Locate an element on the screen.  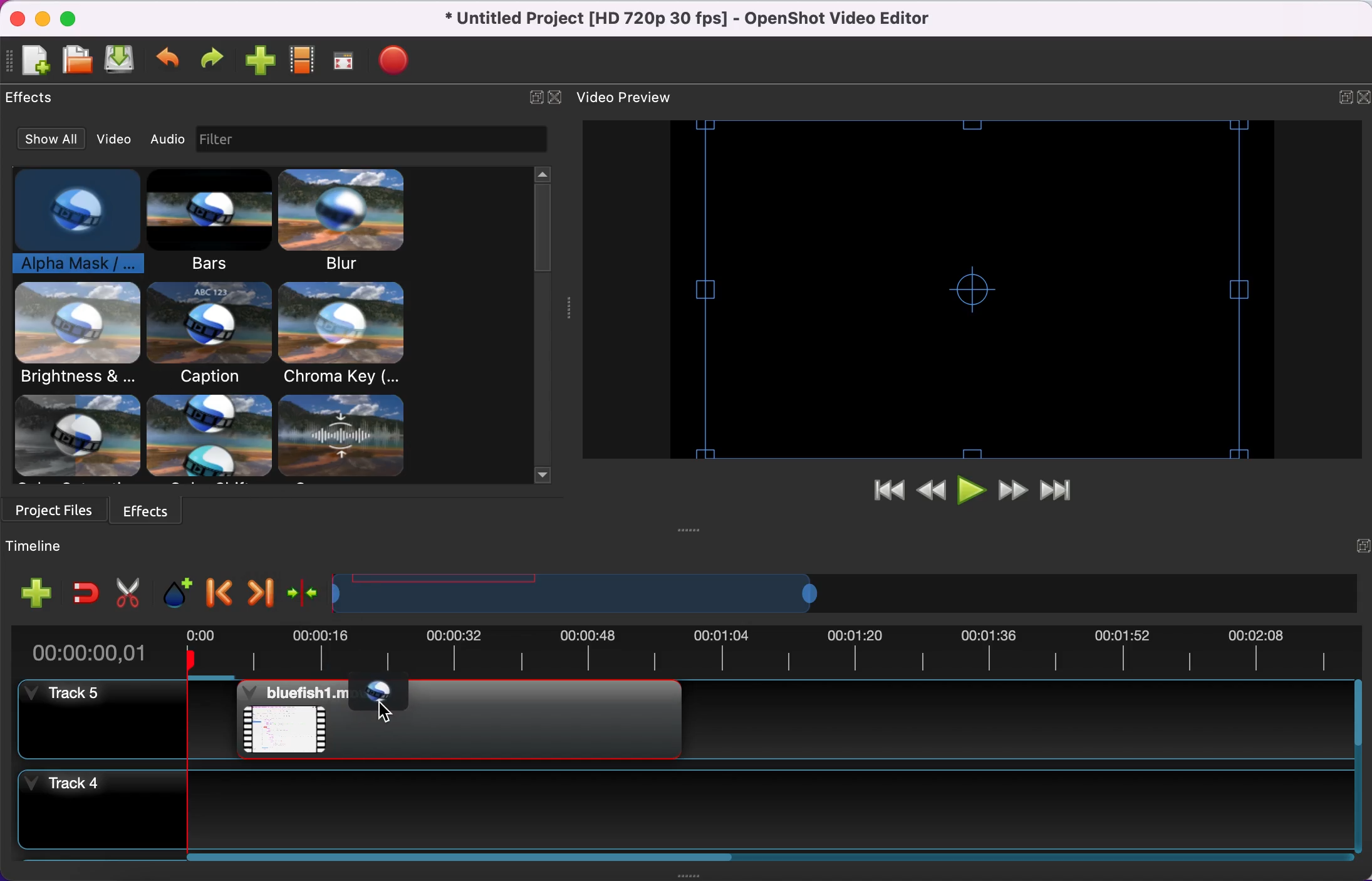
jump to end is located at coordinates (1063, 489).